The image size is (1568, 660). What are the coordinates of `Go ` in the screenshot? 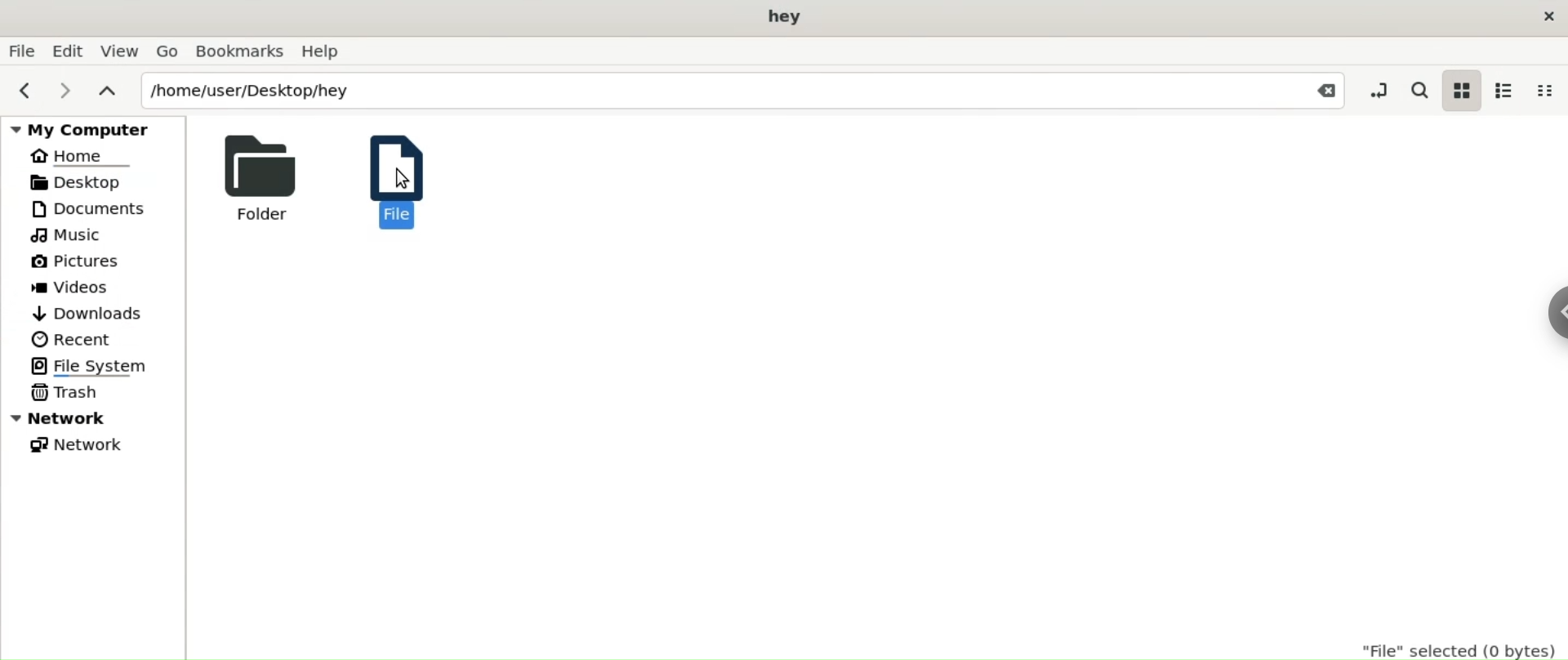 It's located at (171, 52).